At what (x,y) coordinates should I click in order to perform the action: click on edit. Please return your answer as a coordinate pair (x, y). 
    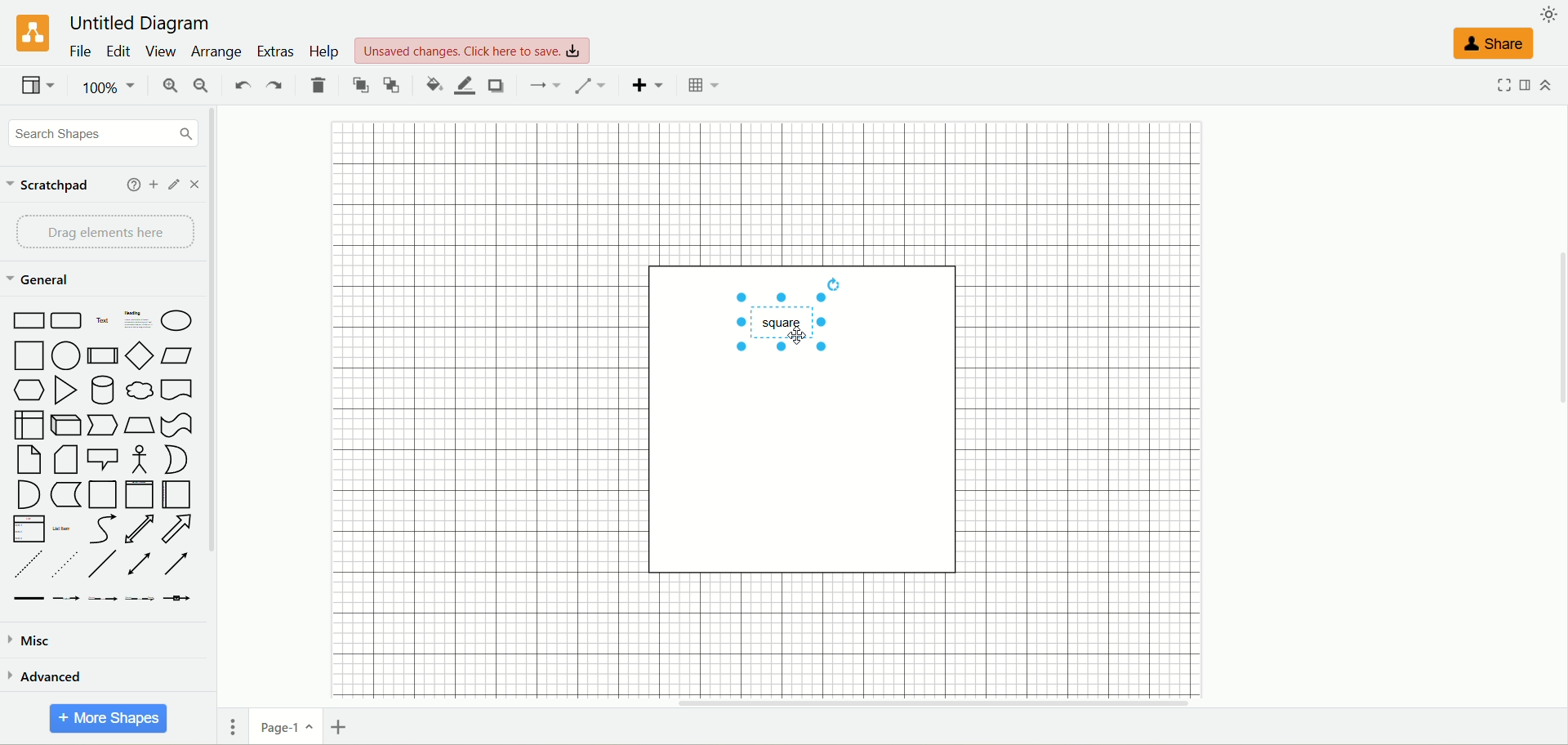
    Looking at the image, I should click on (119, 51).